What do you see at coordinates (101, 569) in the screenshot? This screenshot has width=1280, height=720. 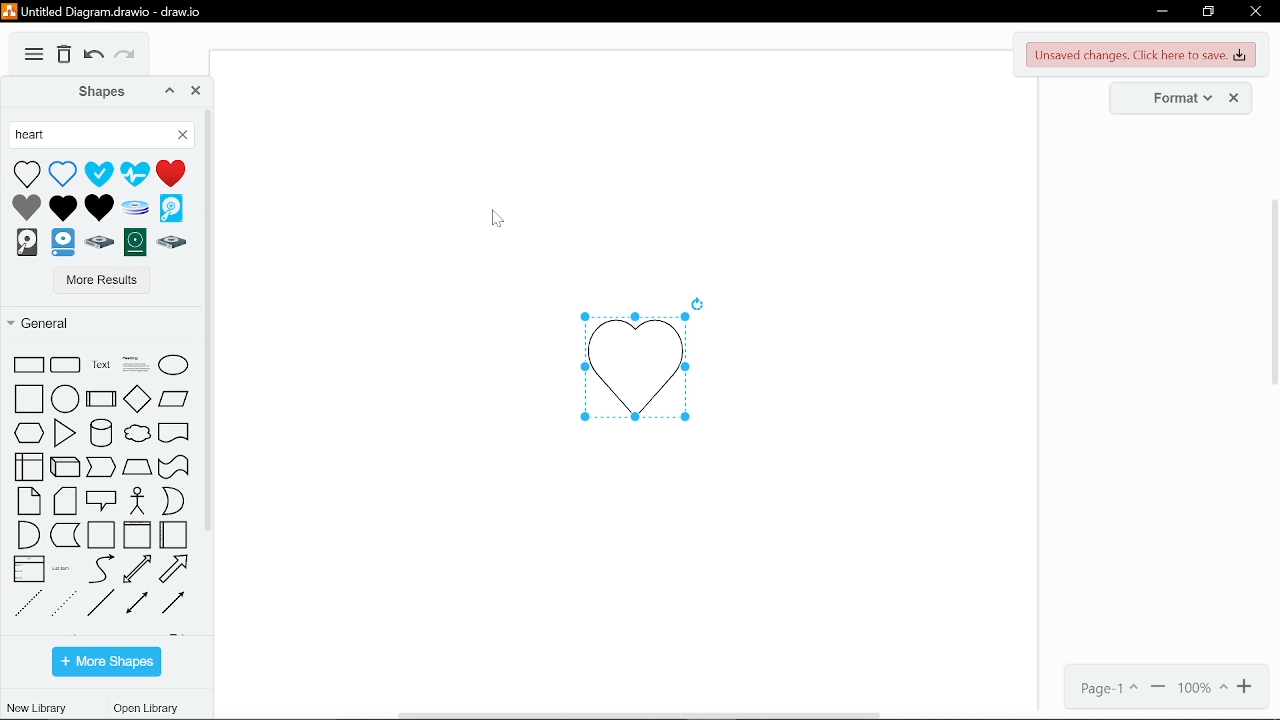 I see `curve` at bounding box center [101, 569].